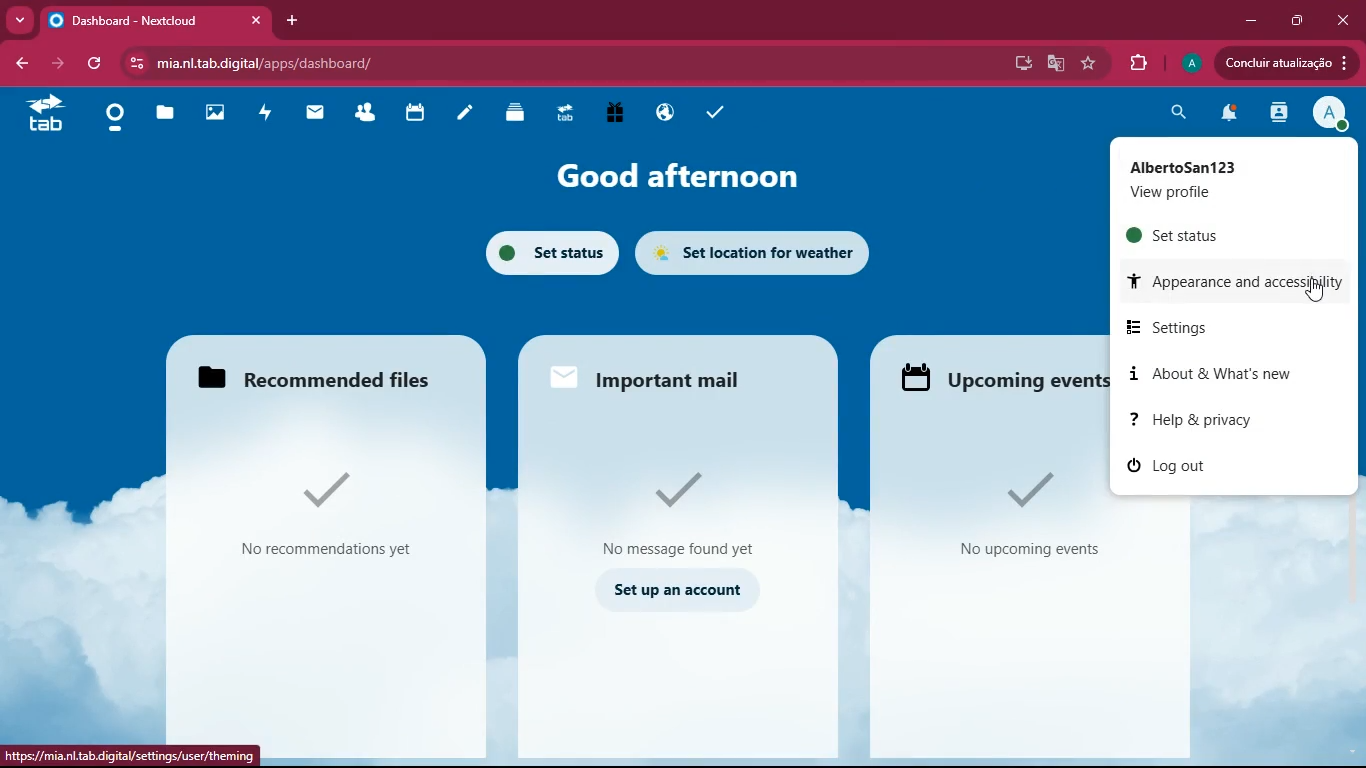 This screenshot has height=768, width=1366. Describe the element at coordinates (1220, 369) in the screenshot. I see `about` at that location.